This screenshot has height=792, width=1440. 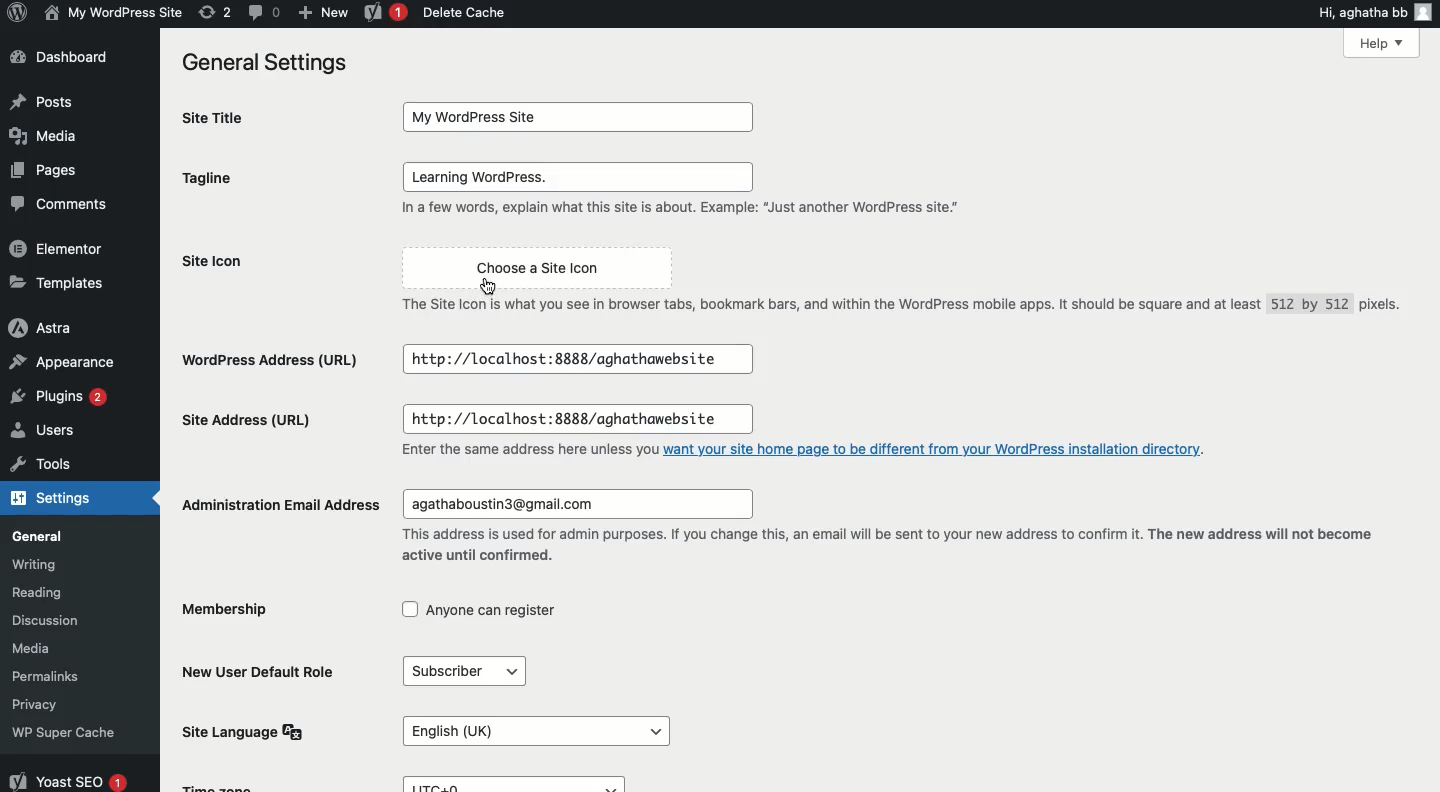 I want to click on http: //1ocalhost:8888/aghathawebsite, so click(x=570, y=415).